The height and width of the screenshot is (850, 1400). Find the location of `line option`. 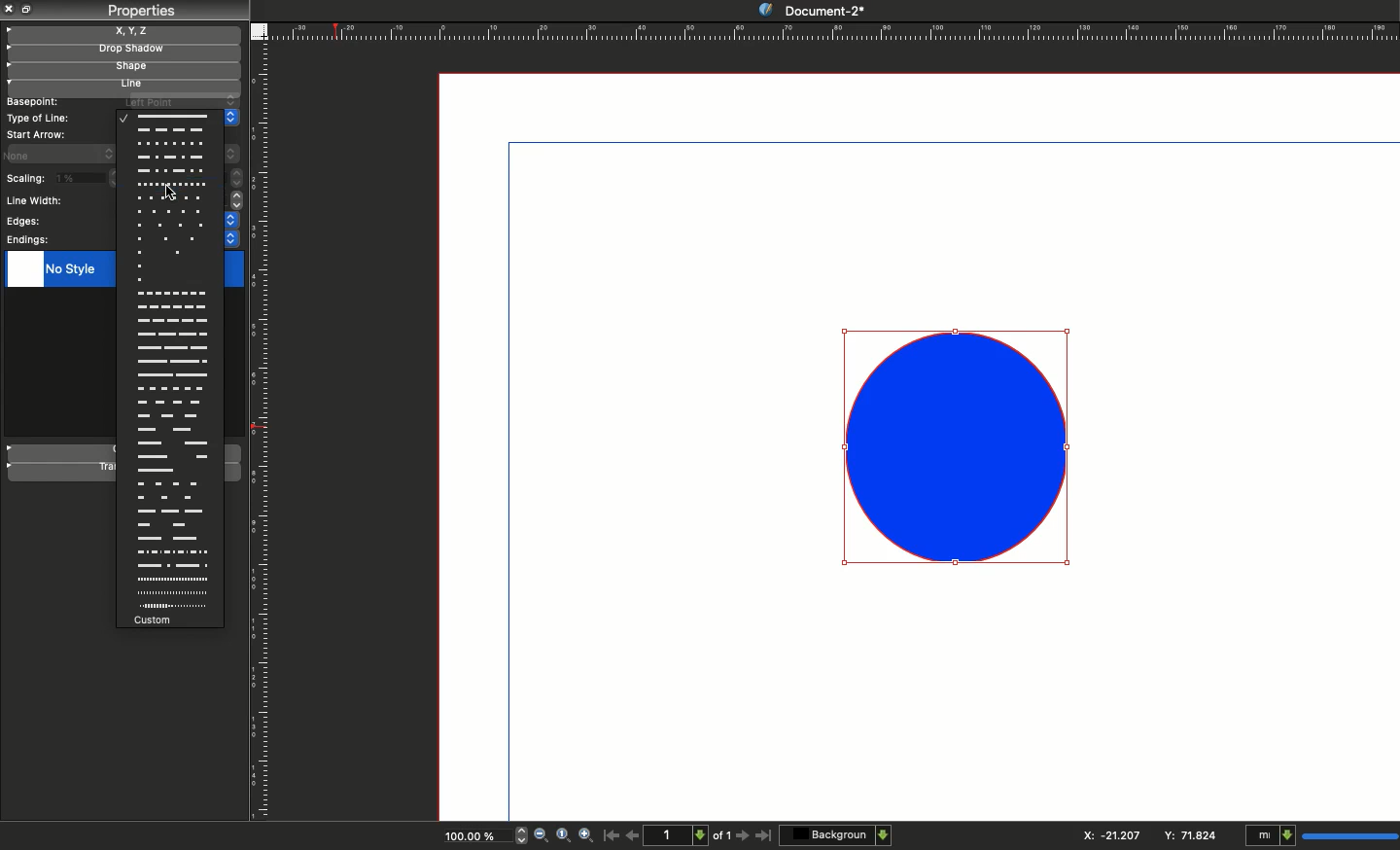

line option is located at coordinates (169, 170).